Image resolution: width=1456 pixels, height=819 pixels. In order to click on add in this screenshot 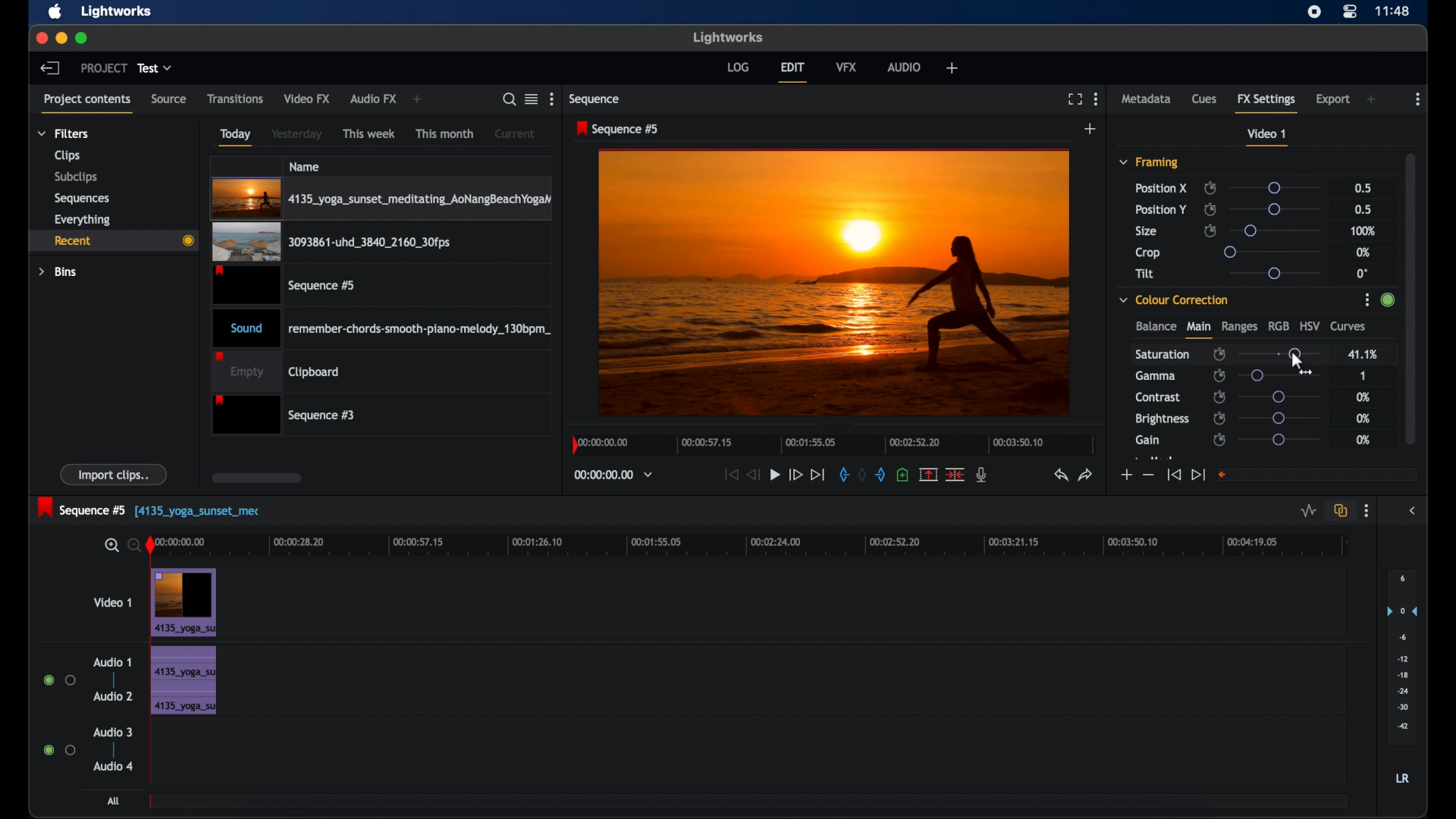, I will do `click(951, 67)`.